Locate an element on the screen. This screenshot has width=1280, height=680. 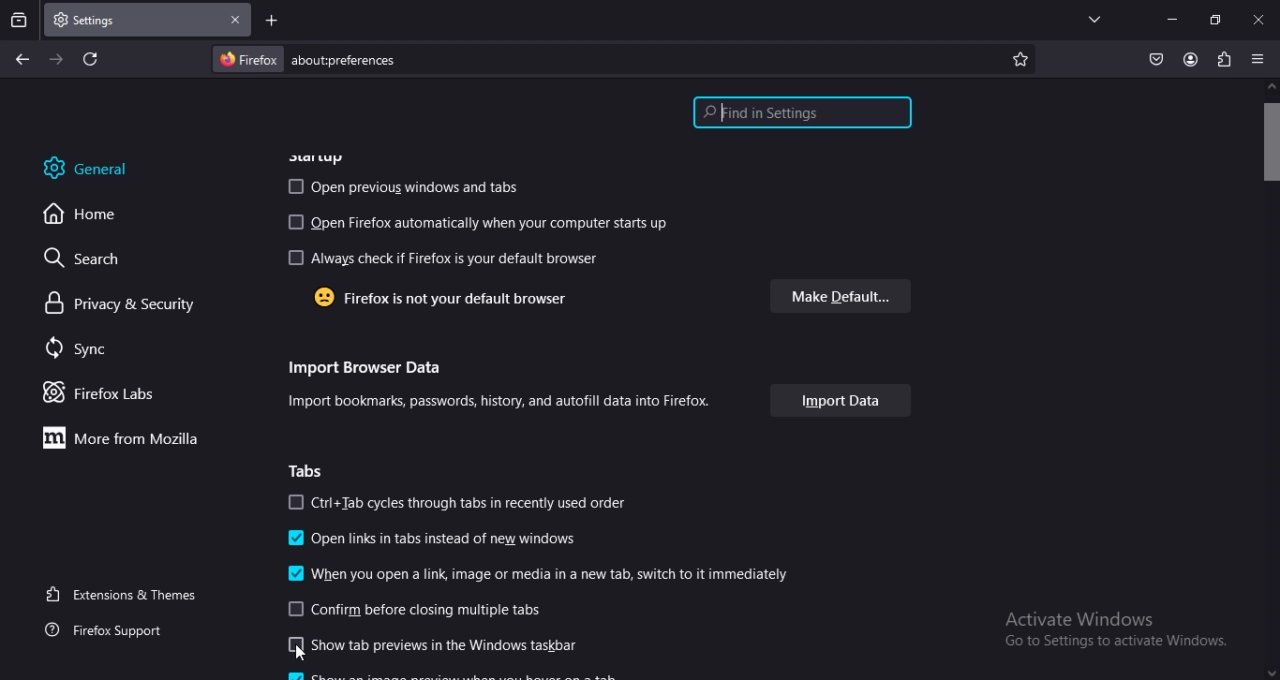
extensions & themes is located at coordinates (126, 594).